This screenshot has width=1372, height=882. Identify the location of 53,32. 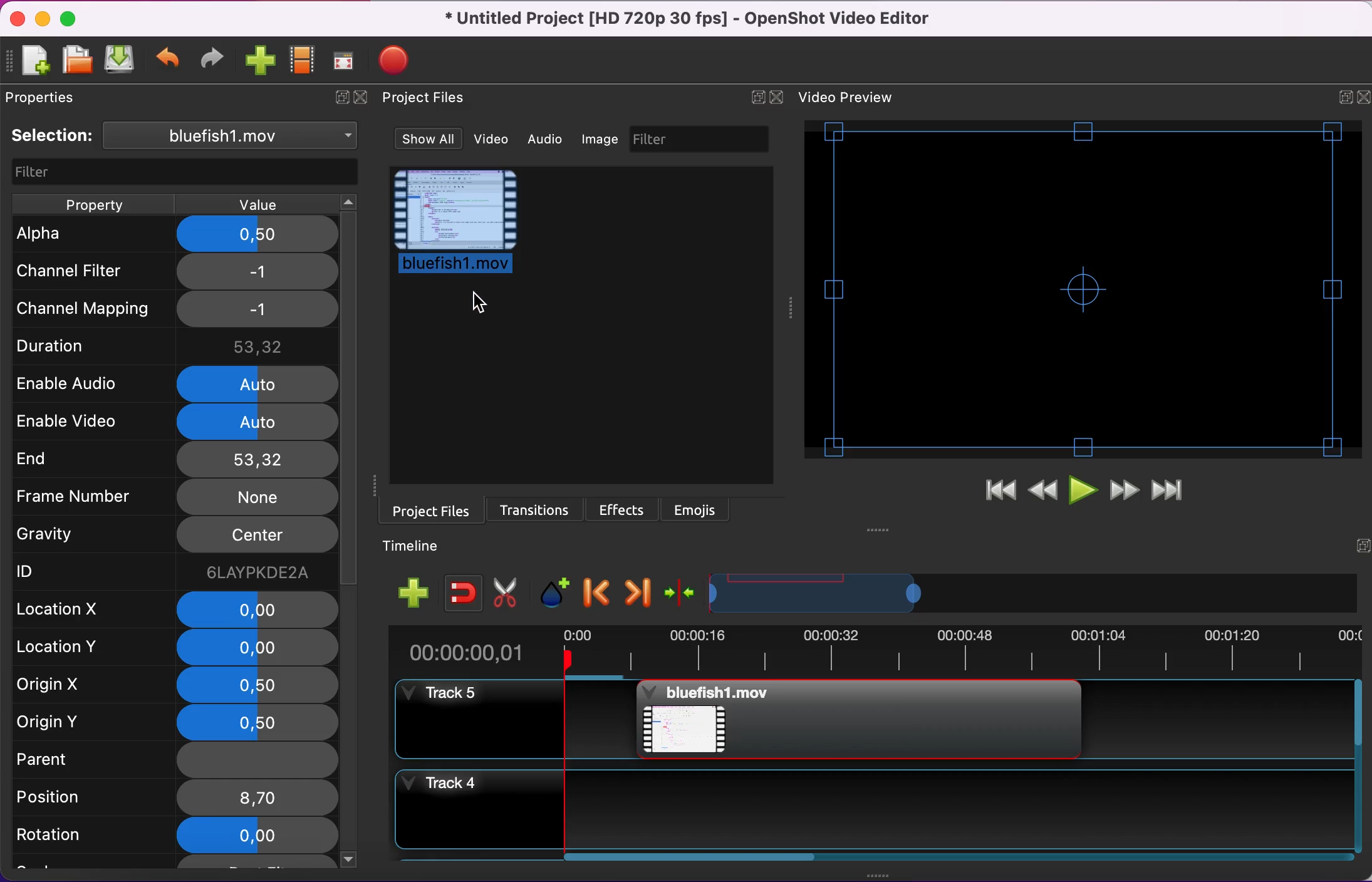
(256, 459).